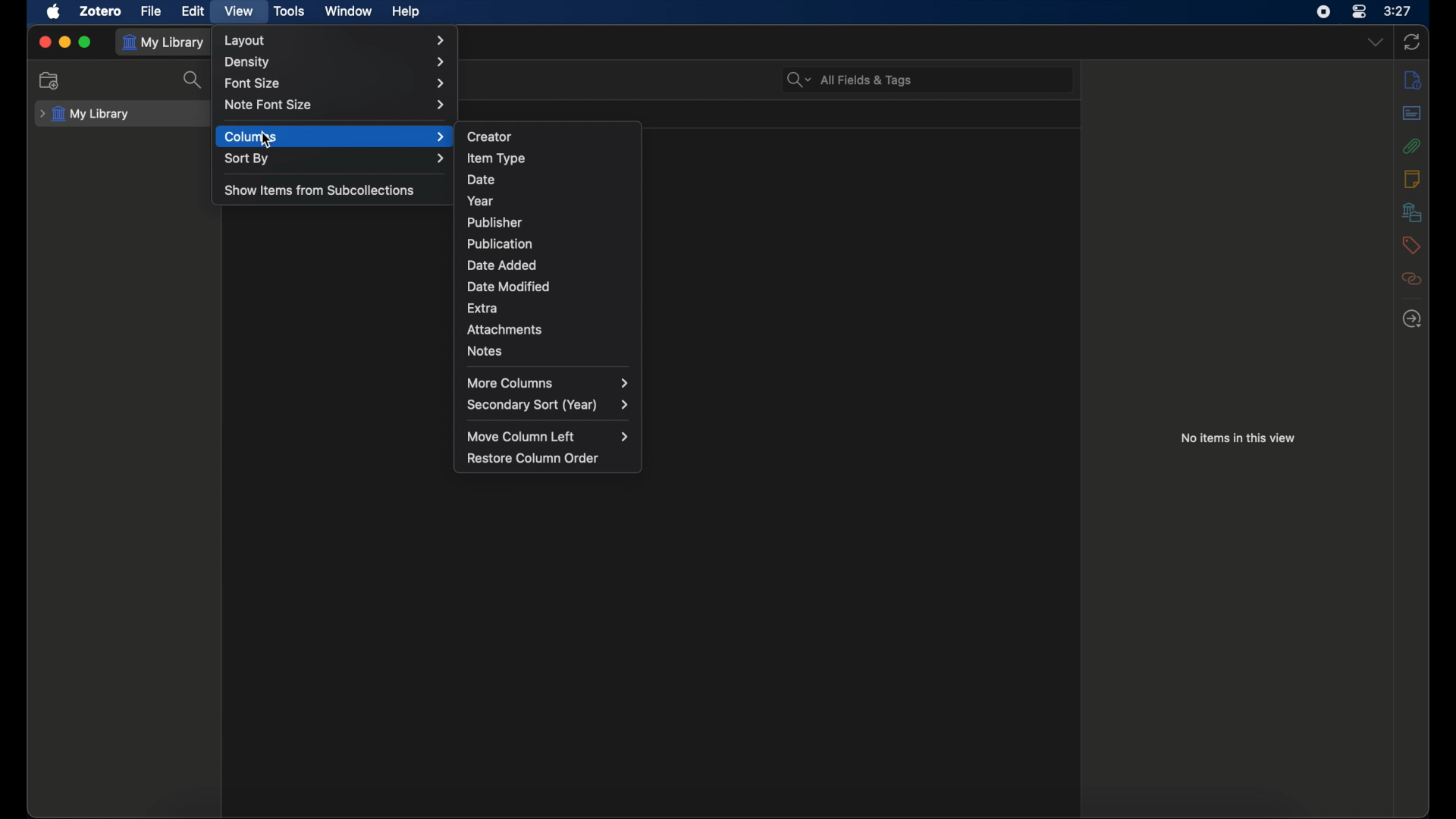  Describe the element at coordinates (54, 11) in the screenshot. I see `apple` at that location.